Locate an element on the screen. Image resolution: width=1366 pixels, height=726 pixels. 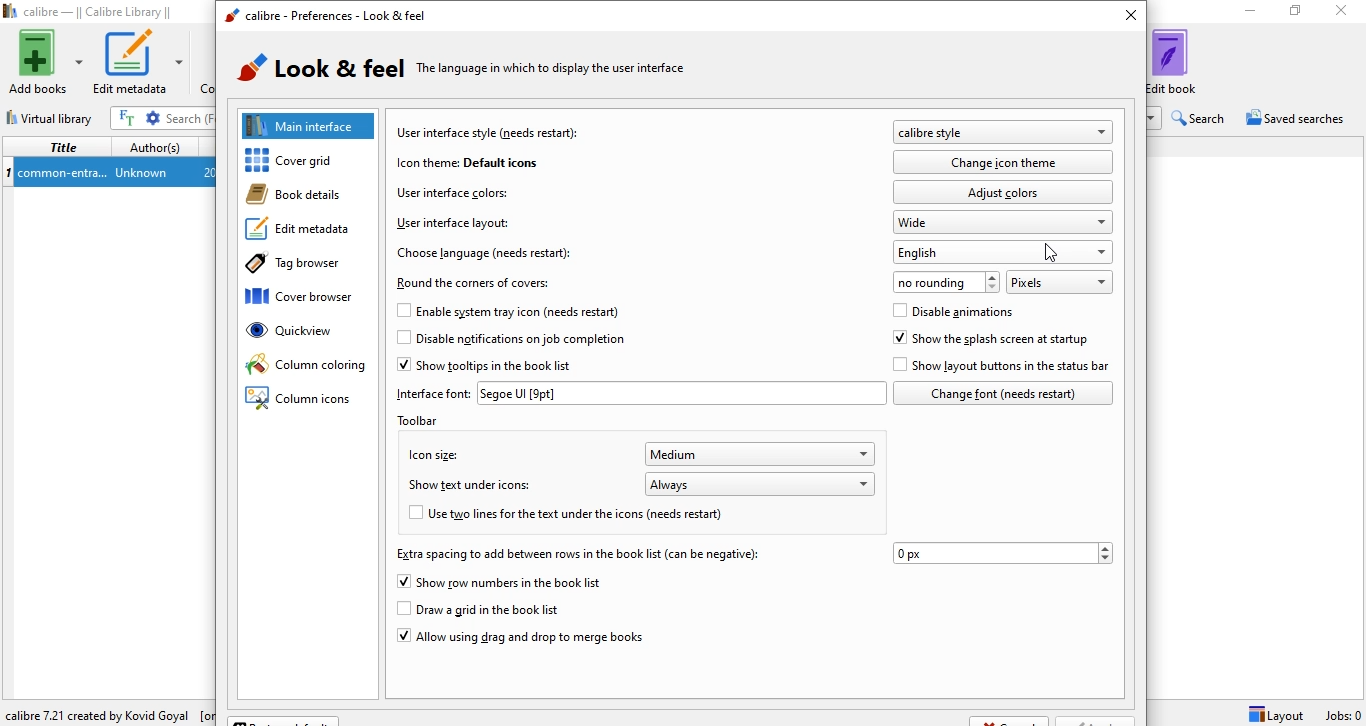
user interface style (needs restart) is located at coordinates (490, 132).